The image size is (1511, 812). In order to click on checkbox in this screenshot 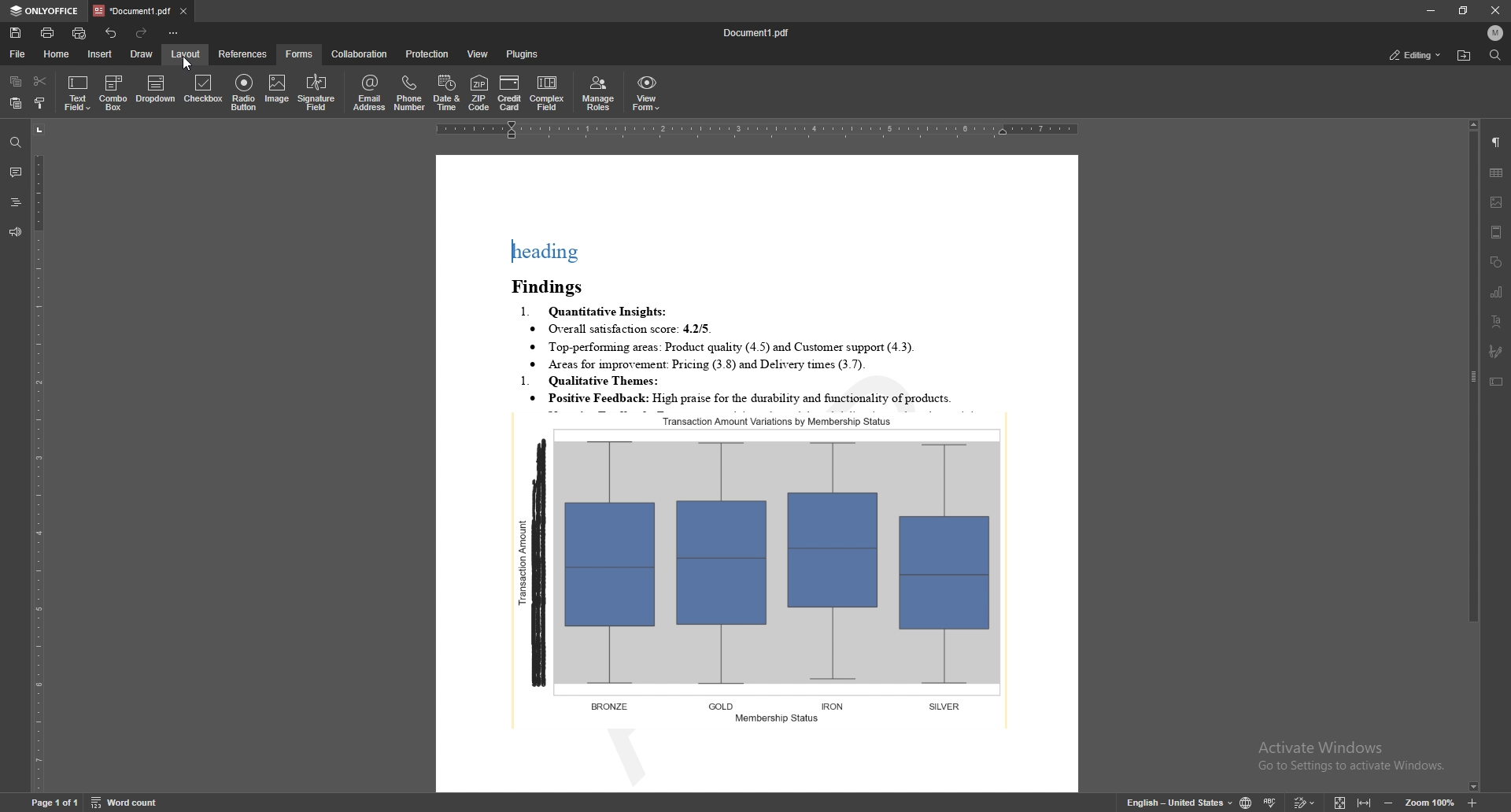, I will do `click(202, 90)`.